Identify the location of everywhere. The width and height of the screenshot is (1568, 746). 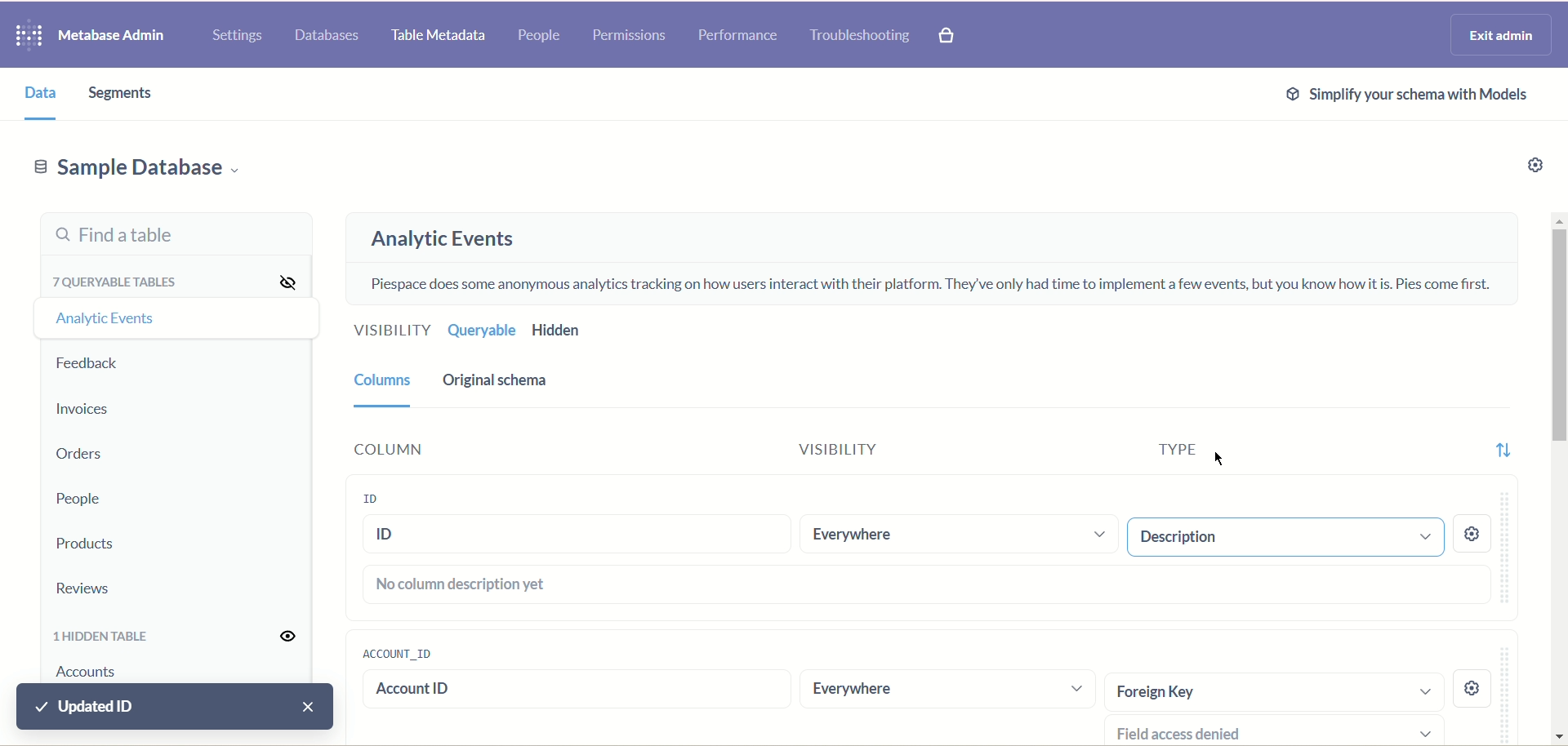
(963, 534).